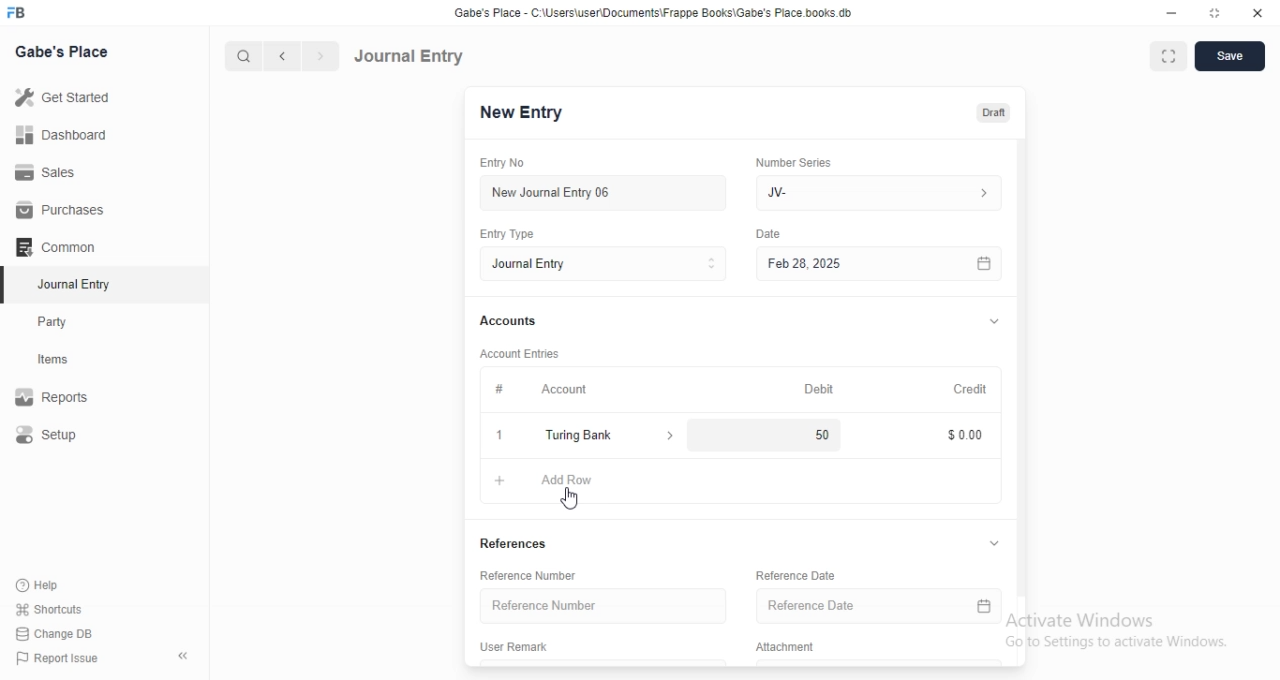 This screenshot has width=1280, height=680. What do you see at coordinates (498, 436) in the screenshot?
I see `close` at bounding box center [498, 436].